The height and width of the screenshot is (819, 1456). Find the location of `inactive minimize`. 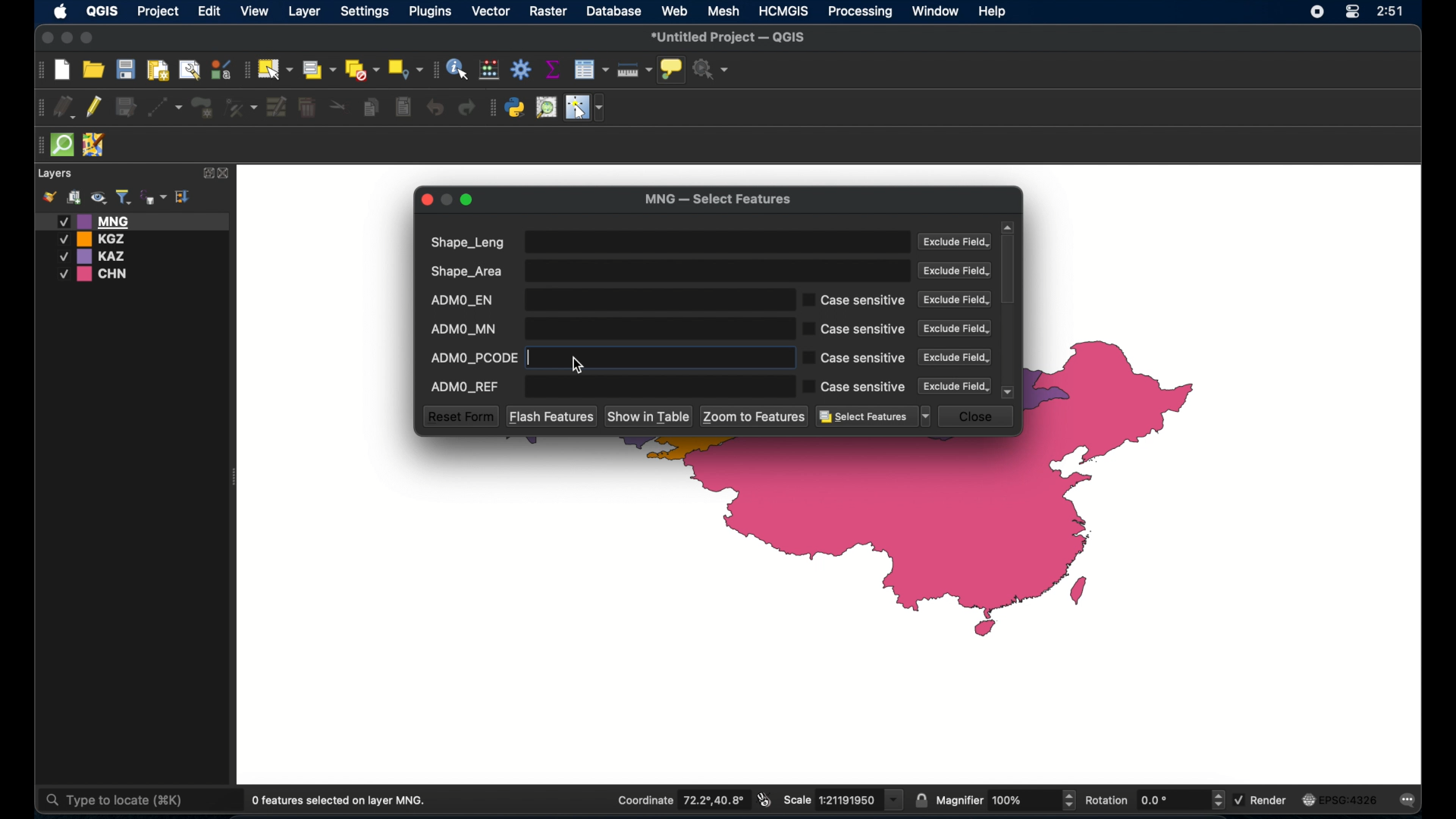

inactive minimize is located at coordinates (447, 199).